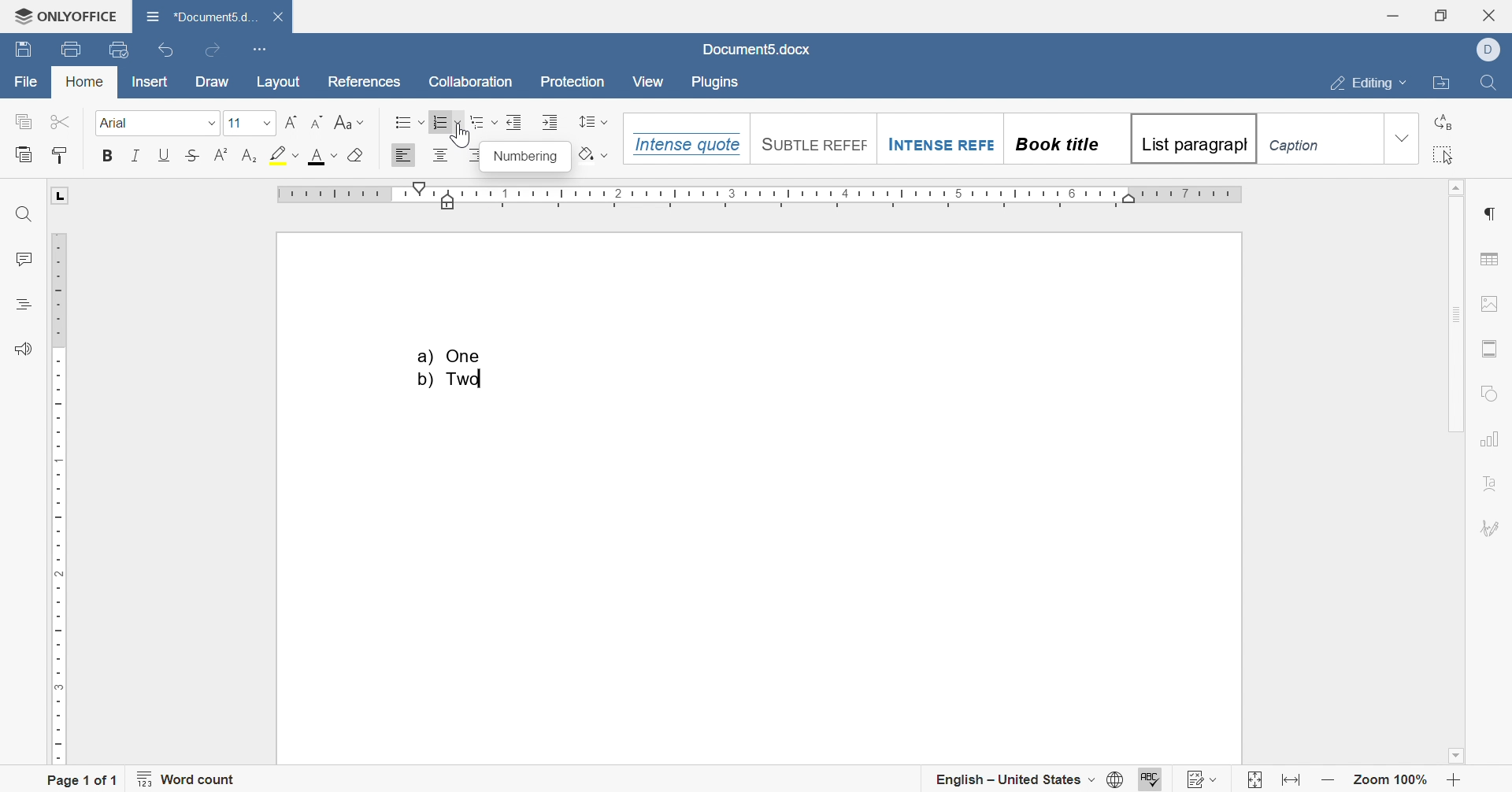 The image size is (1512, 792). I want to click on ruler, so click(762, 195).